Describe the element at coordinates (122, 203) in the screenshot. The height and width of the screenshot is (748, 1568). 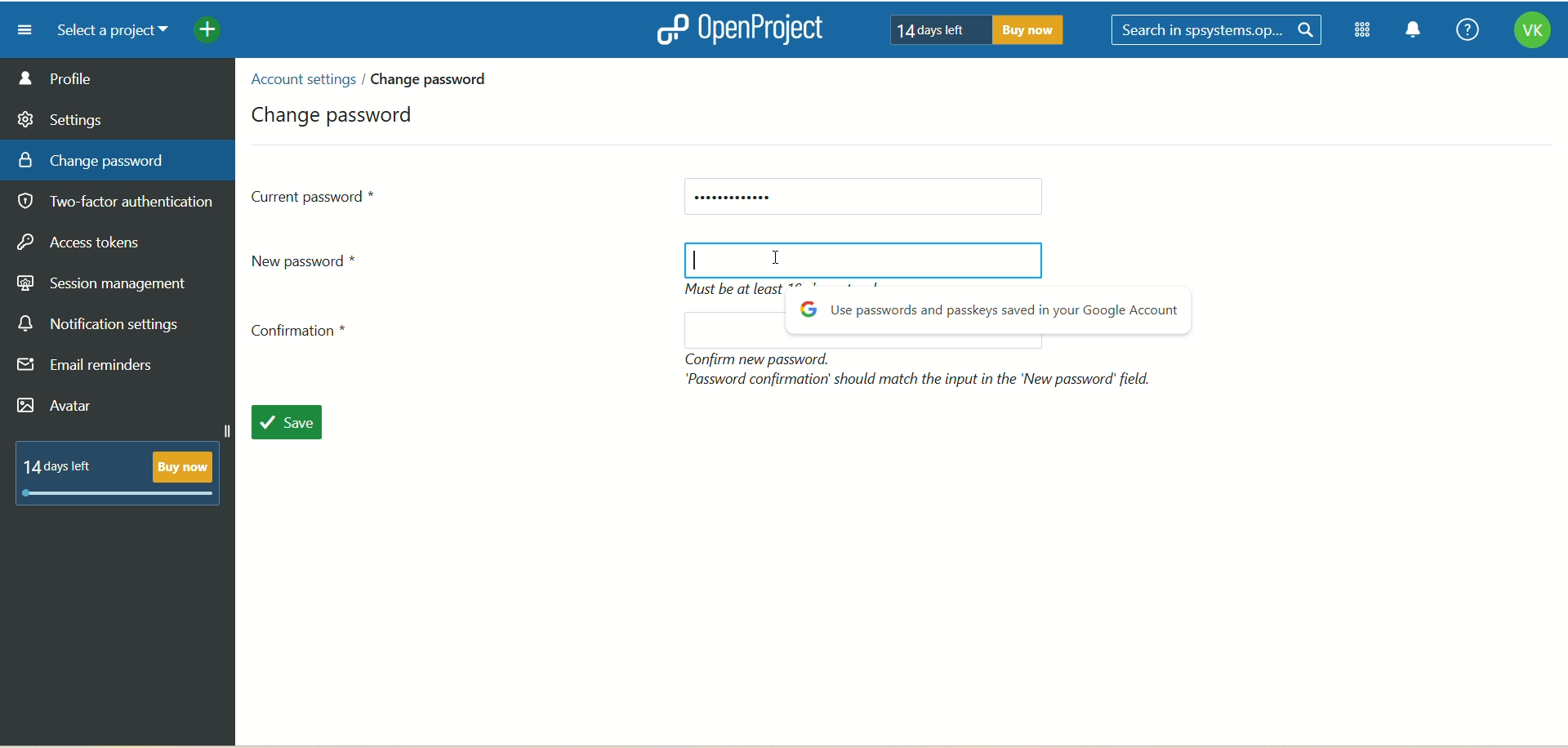
I see `two factor authentication` at that location.